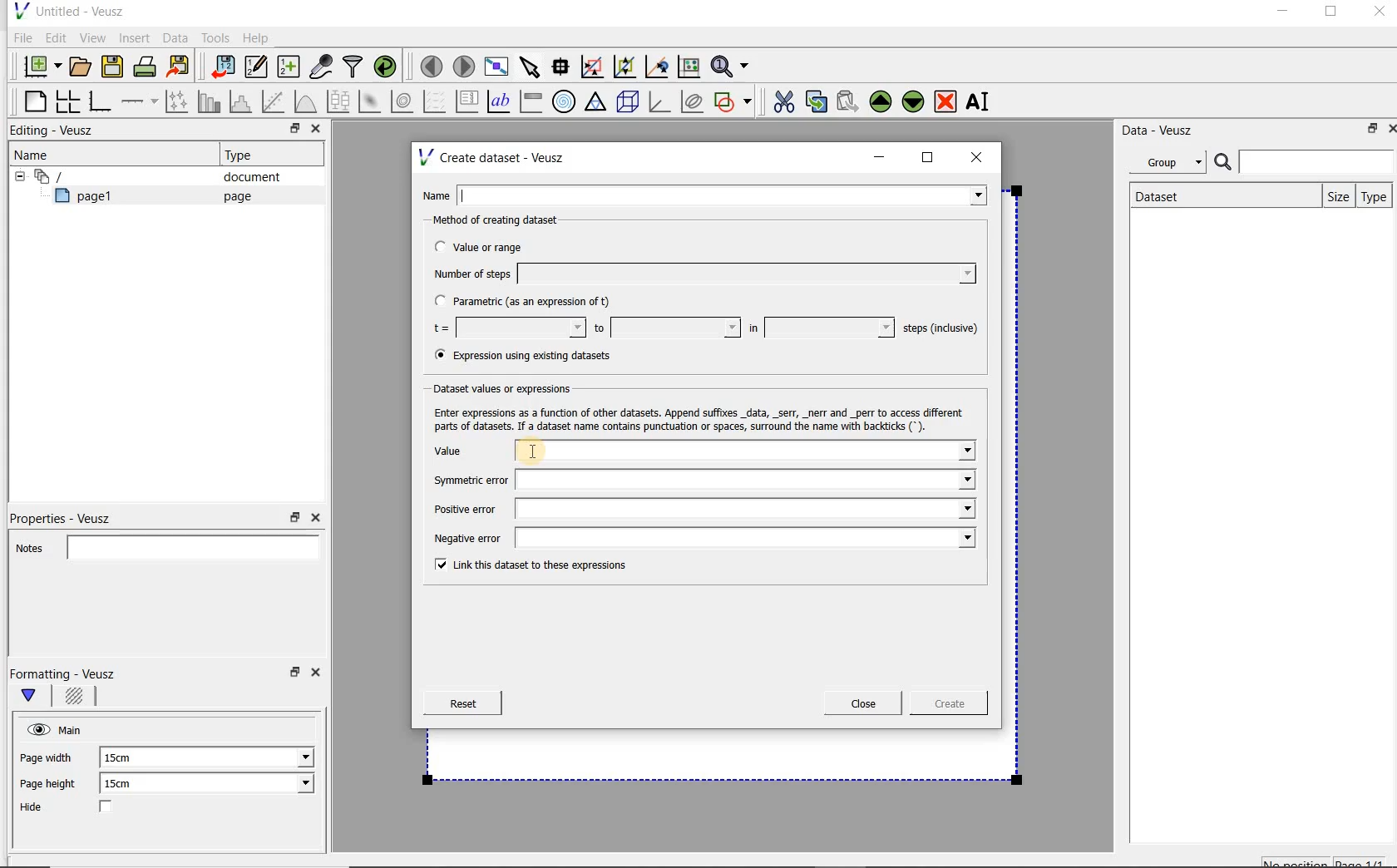 The width and height of the screenshot is (1397, 868). What do you see at coordinates (78, 176) in the screenshot?
I see `Document widget` at bounding box center [78, 176].